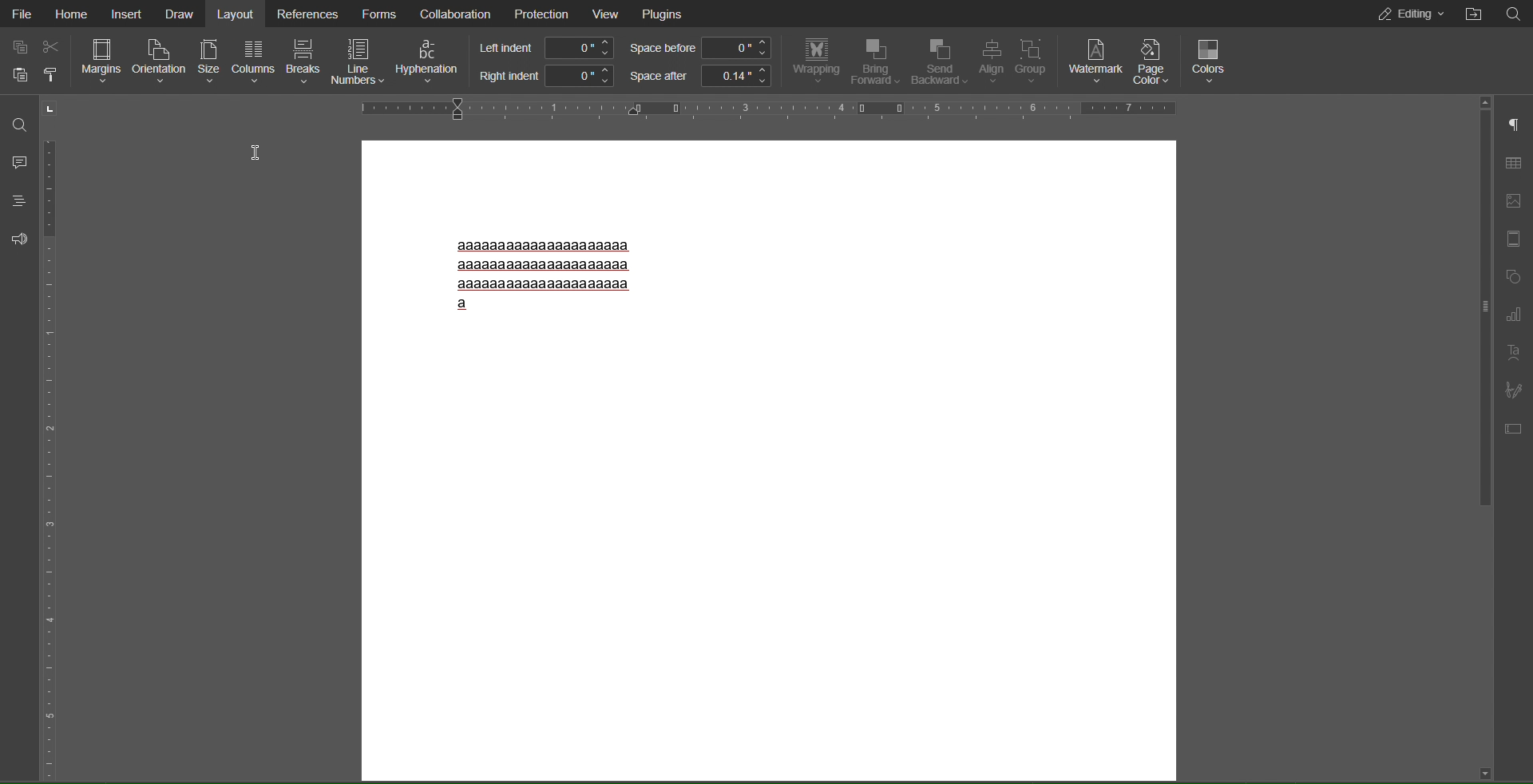 Image resolution: width=1533 pixels, height=784 pixels. I want to click on Columns, so click(254, 63).